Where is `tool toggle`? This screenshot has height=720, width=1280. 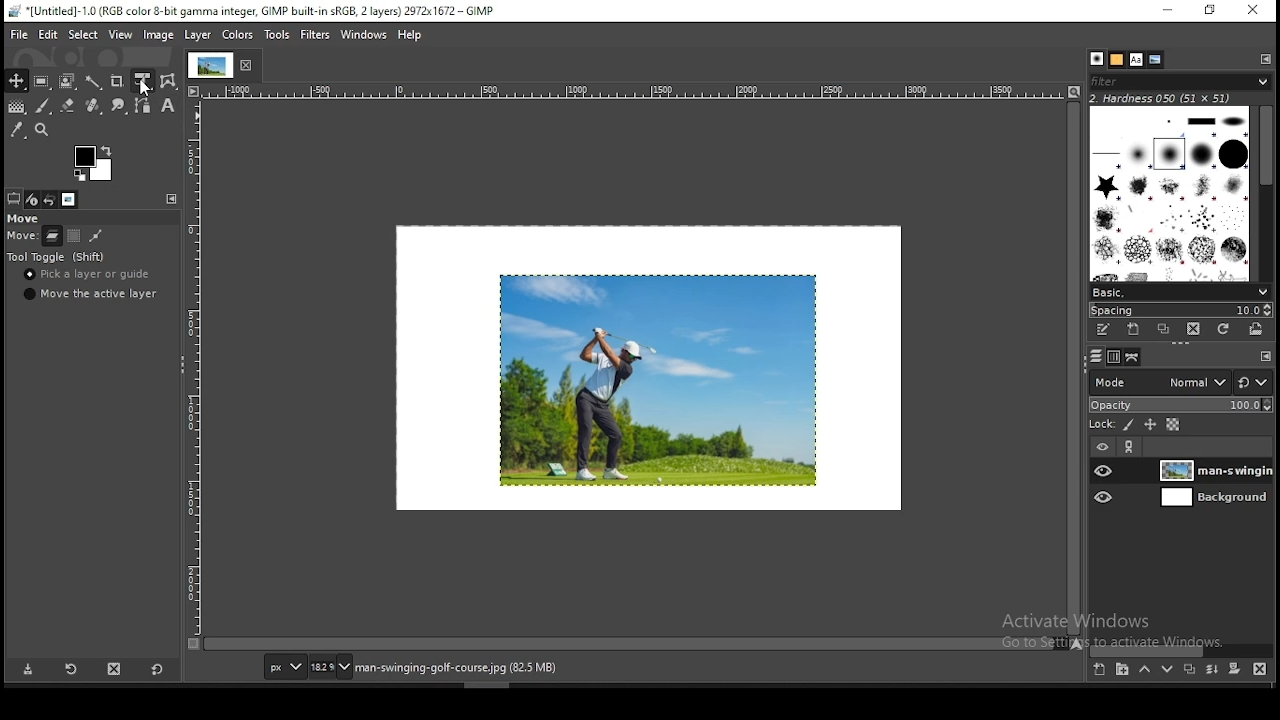
tool toggle is located at coordinates (57, 258).